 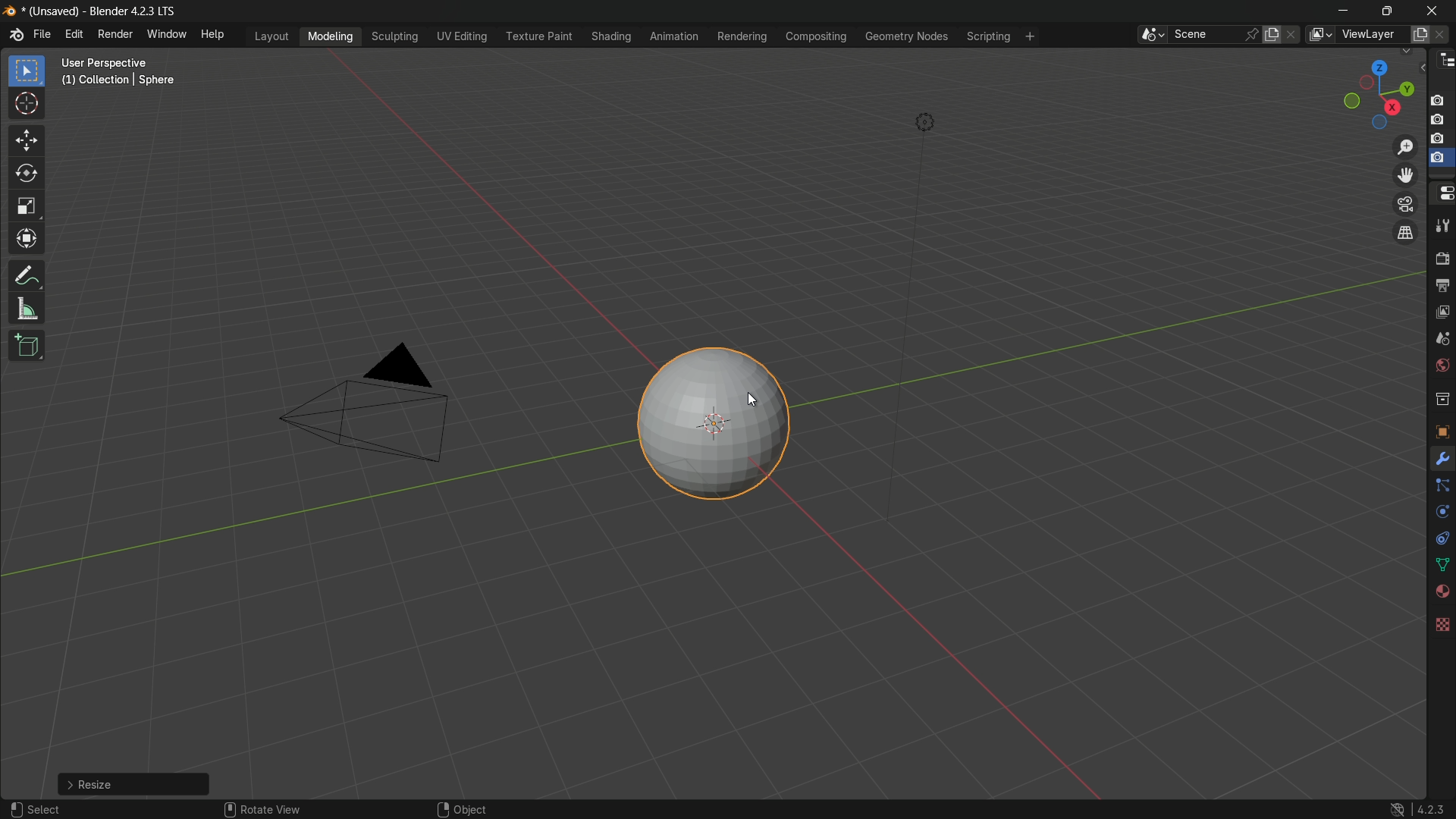 I want to click on shading menu, so click(x=608, y=35).